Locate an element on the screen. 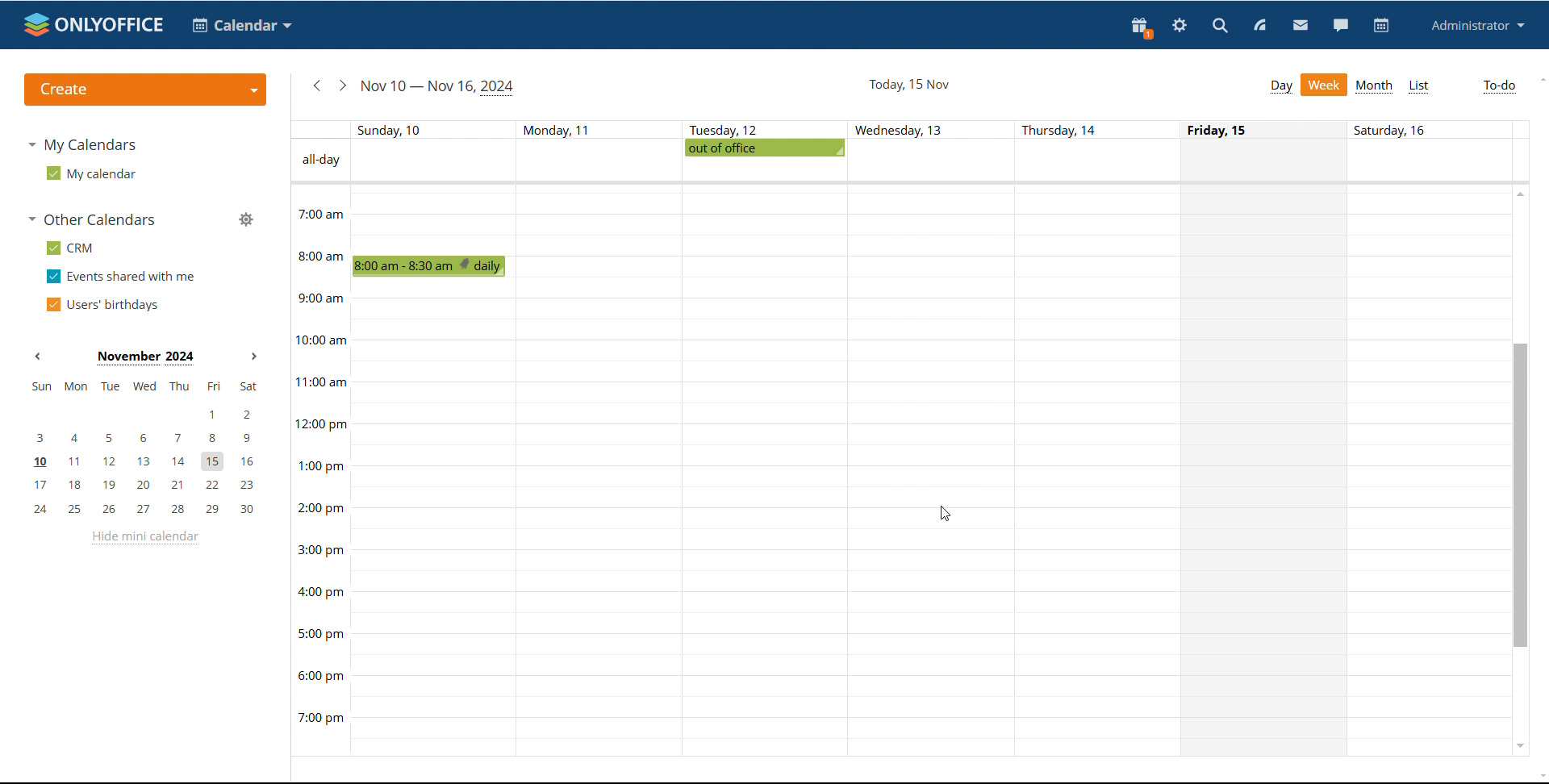 The width and height of the screenshot is (1549, 784). scheduled event is located at coordinates (433, 266).